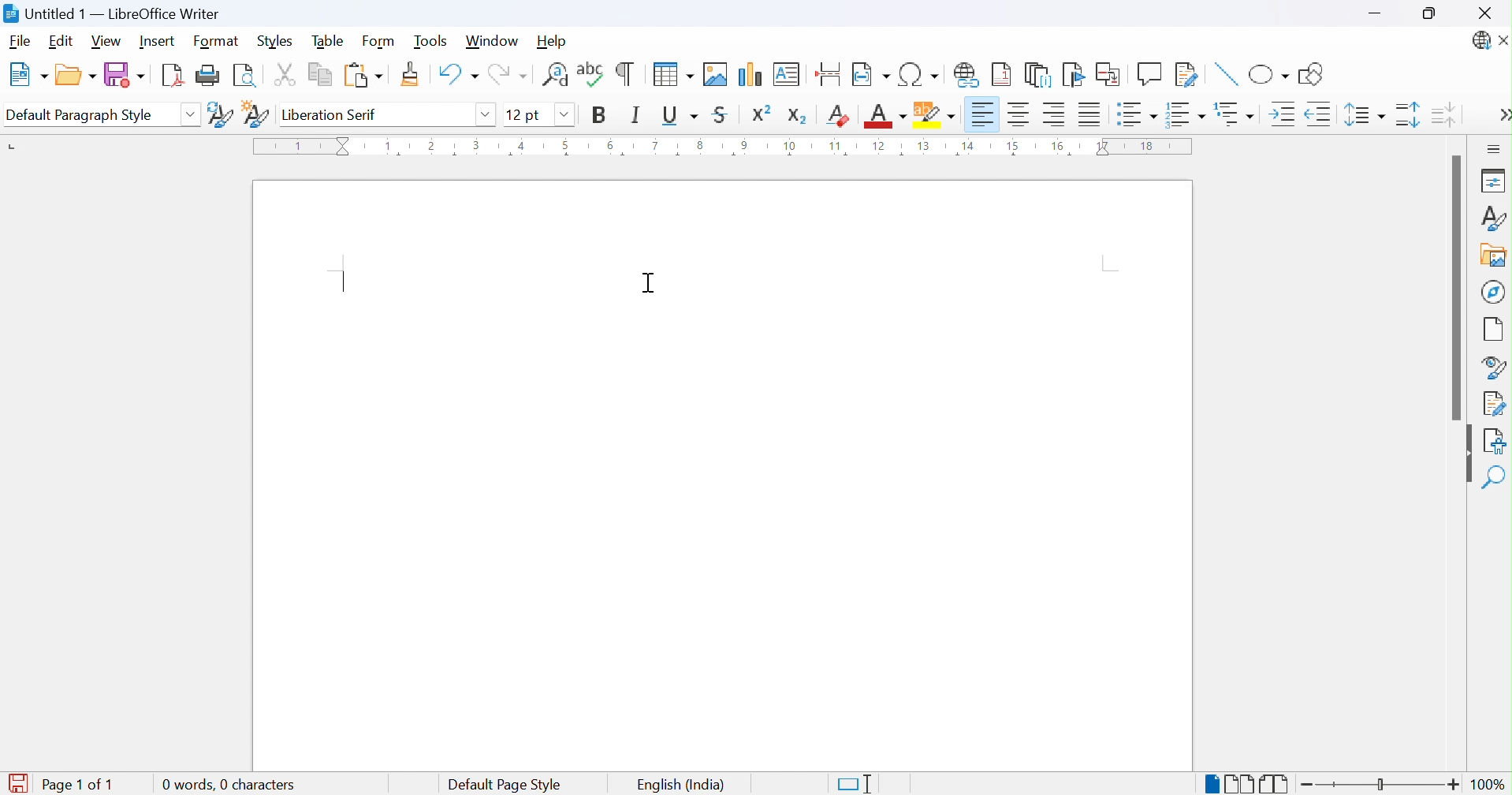 Image resolution: width=1512 pixels, height=795 pixels. I want to click on Insert page break, so click(831, 70).